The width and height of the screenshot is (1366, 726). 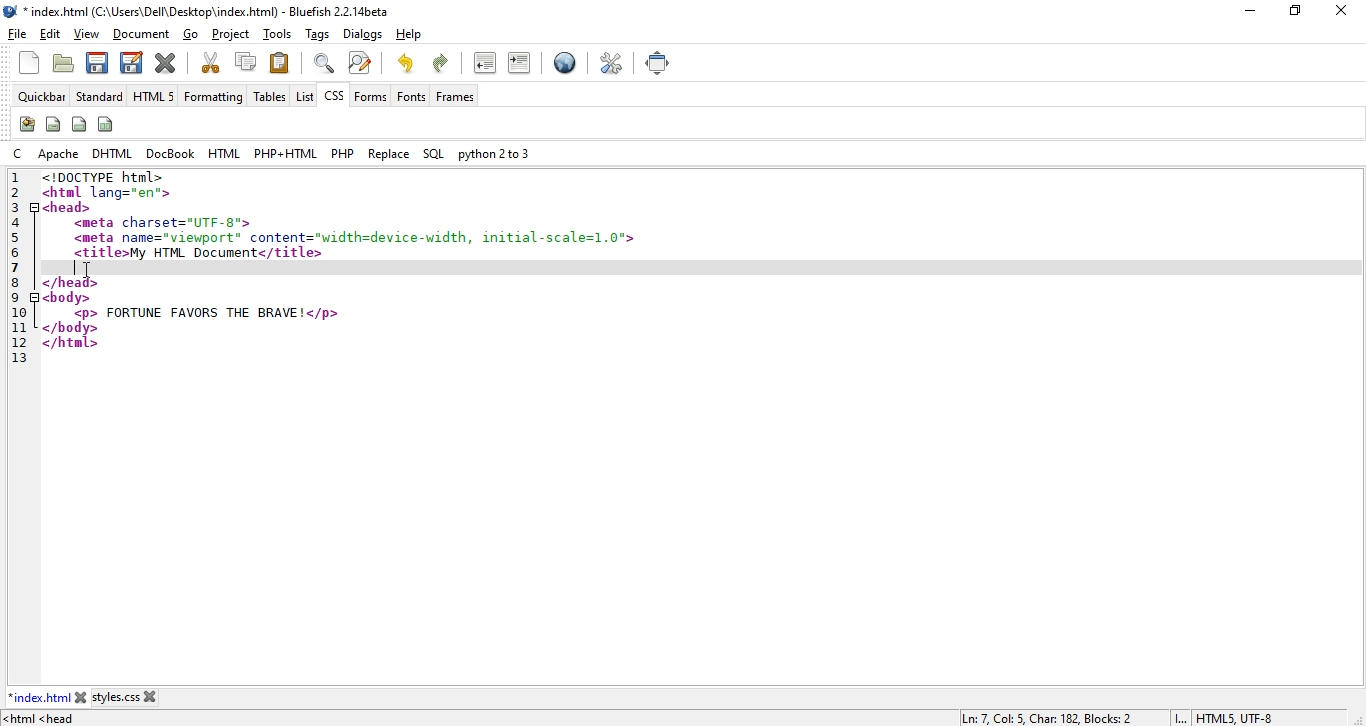 I want to click on restore window, so click(x=1292, y=13).